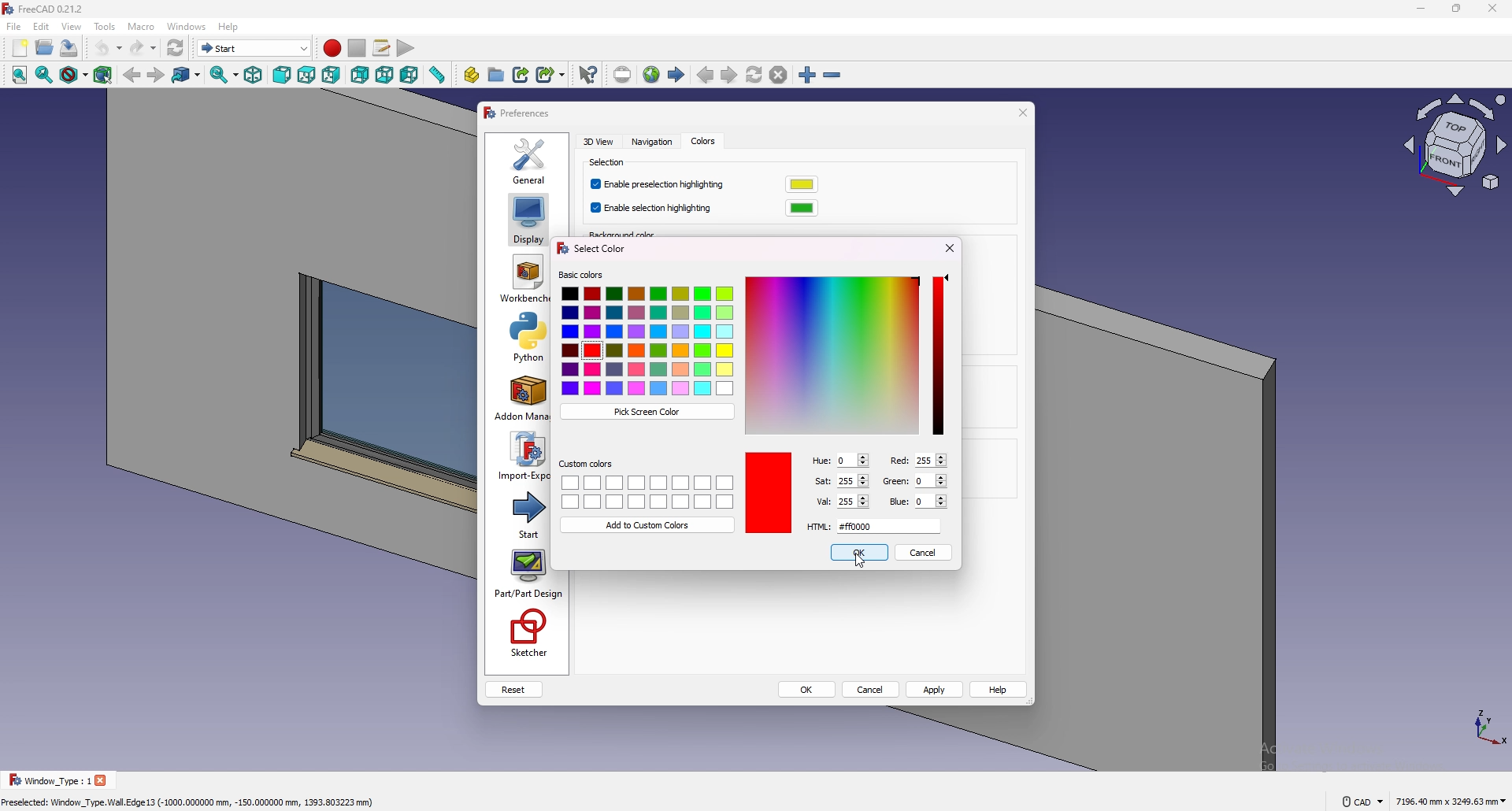  I want to click on color options, so click(649, 342).